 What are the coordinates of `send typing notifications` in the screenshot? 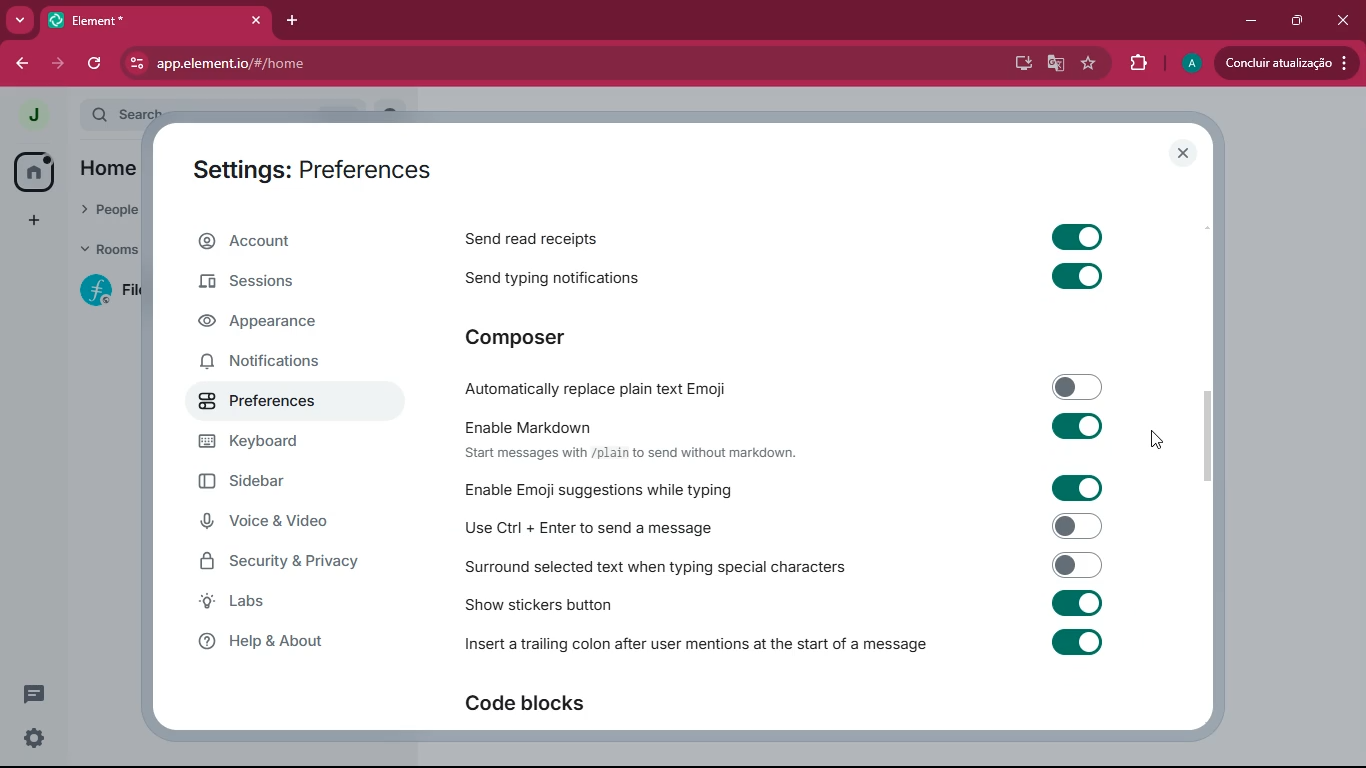 It's located at (563, 280).